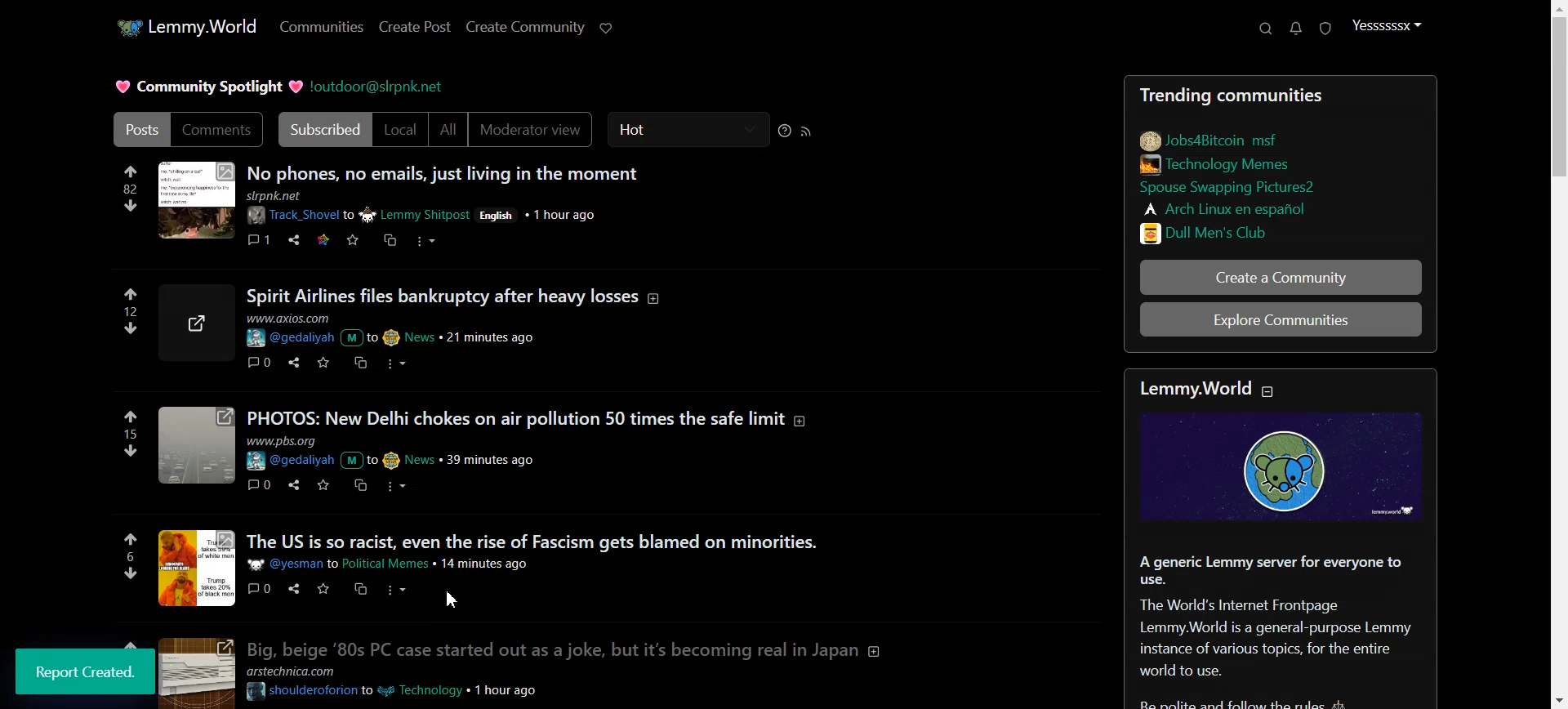 Image resolution: width=1568 pixels, height=709 pixels. Describe the element at coordinates (1285, 629) in the screenshot. I see `Text` at that location.